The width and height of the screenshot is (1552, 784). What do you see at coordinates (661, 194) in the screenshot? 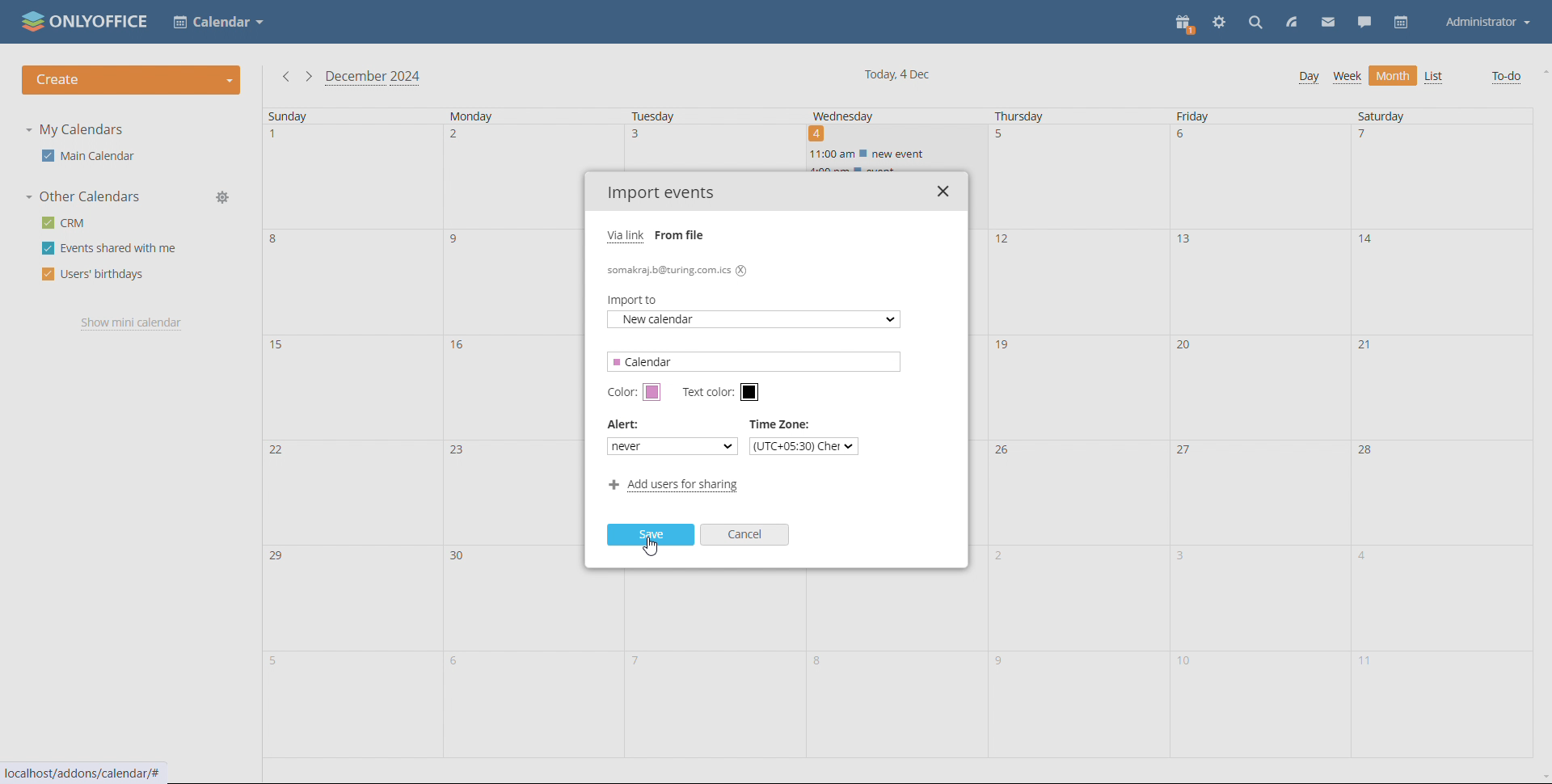
I see `import events` at bounding box center [661, 194].